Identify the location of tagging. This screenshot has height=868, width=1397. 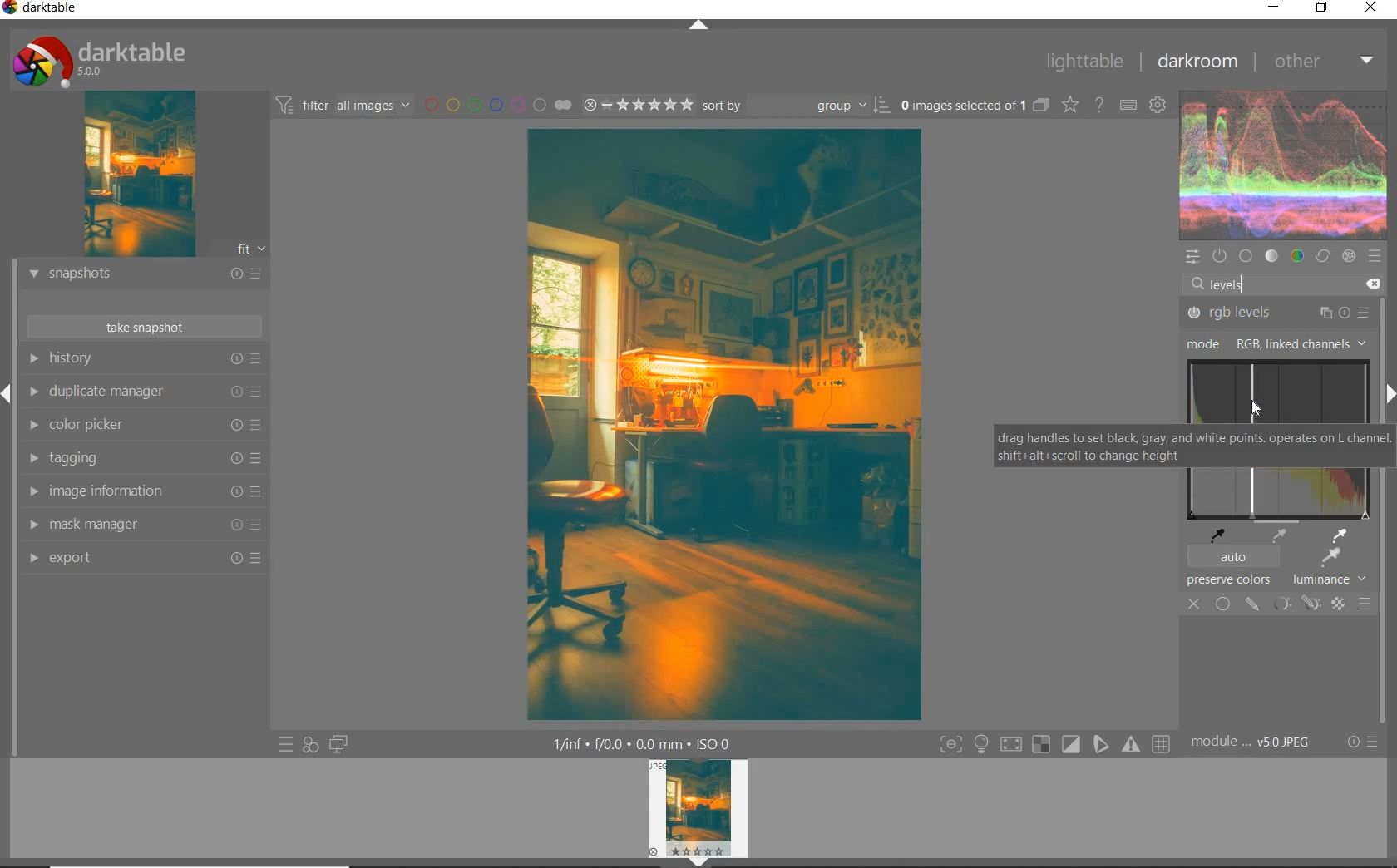
(140, 456).